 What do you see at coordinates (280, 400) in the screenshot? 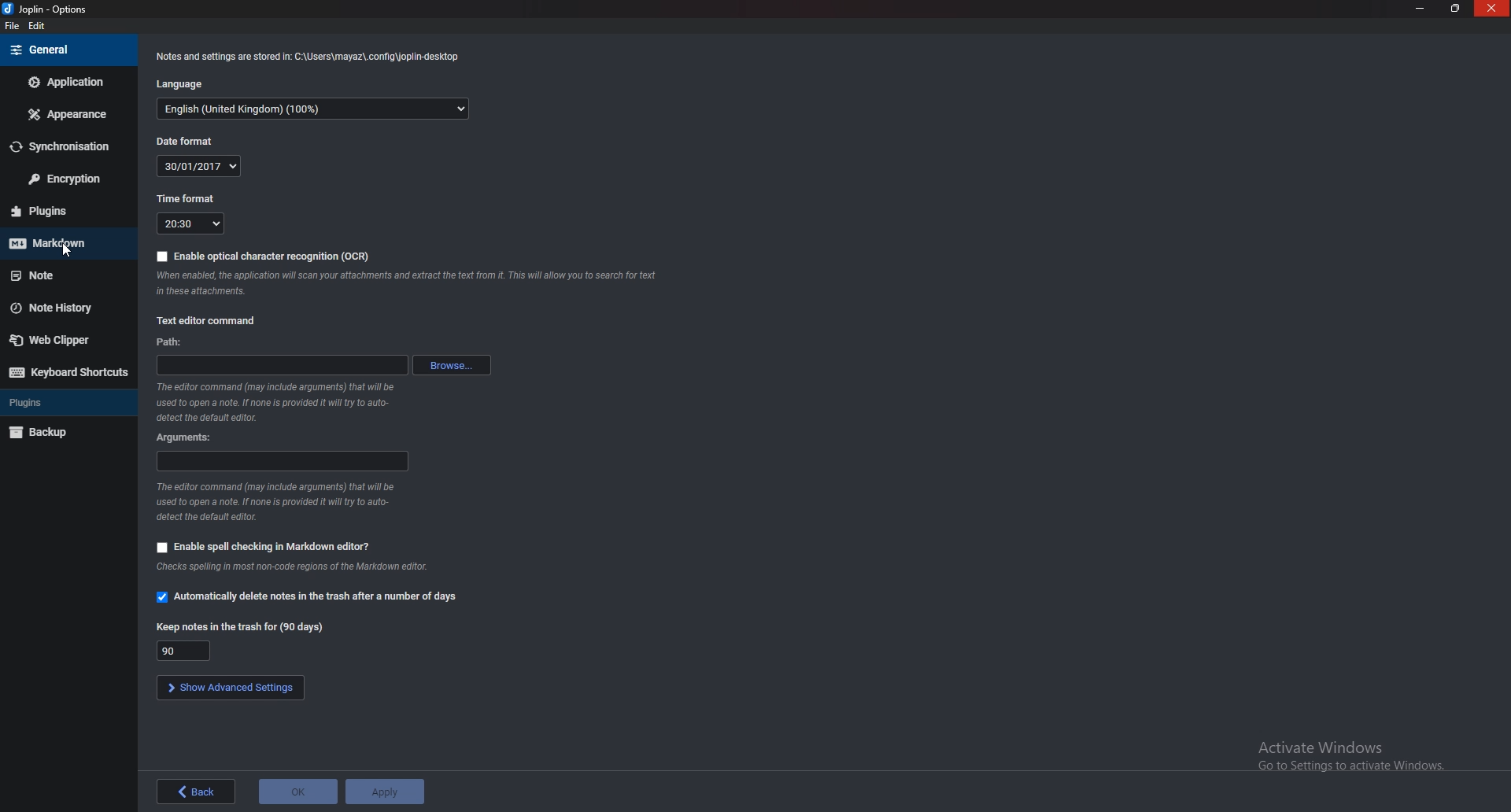
I see `Info` at bounding box center [280, 400].